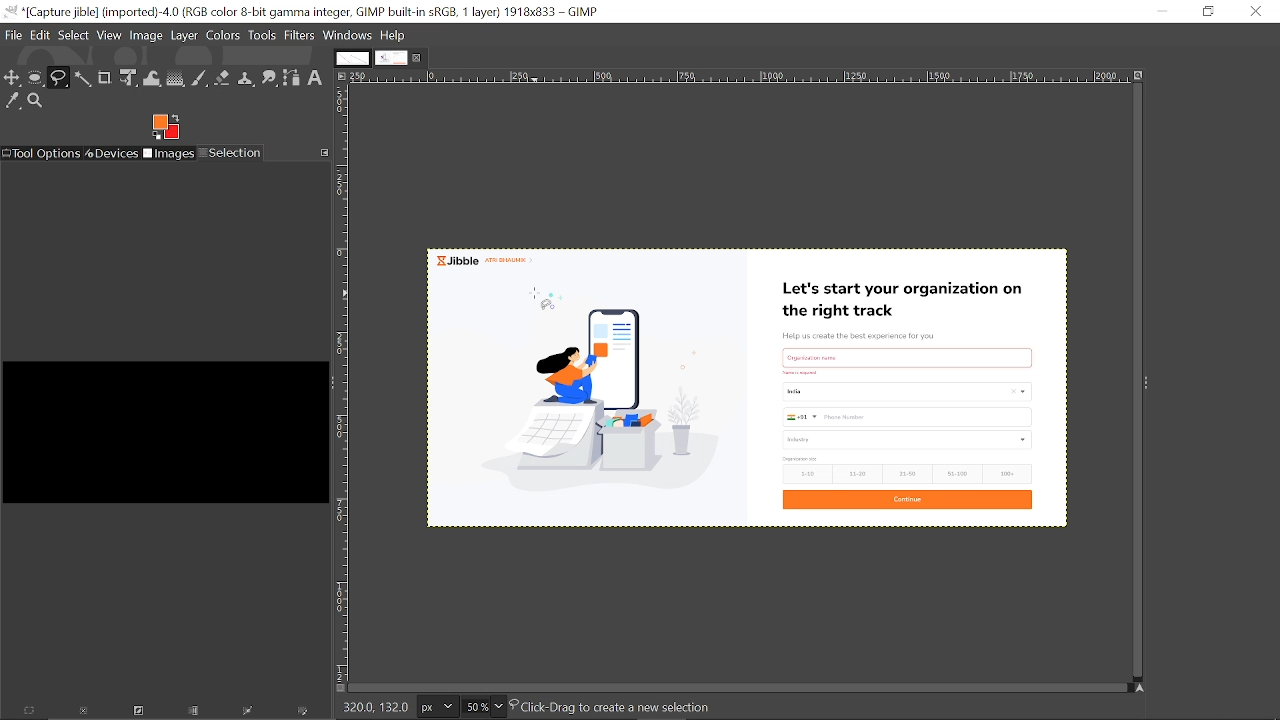 Image resolution: width=1280 pixels, height=720 pixels. What do you see at coordinates (298, 36) in the screenshot?
I see `Filters` at bounding box center [298, 36].